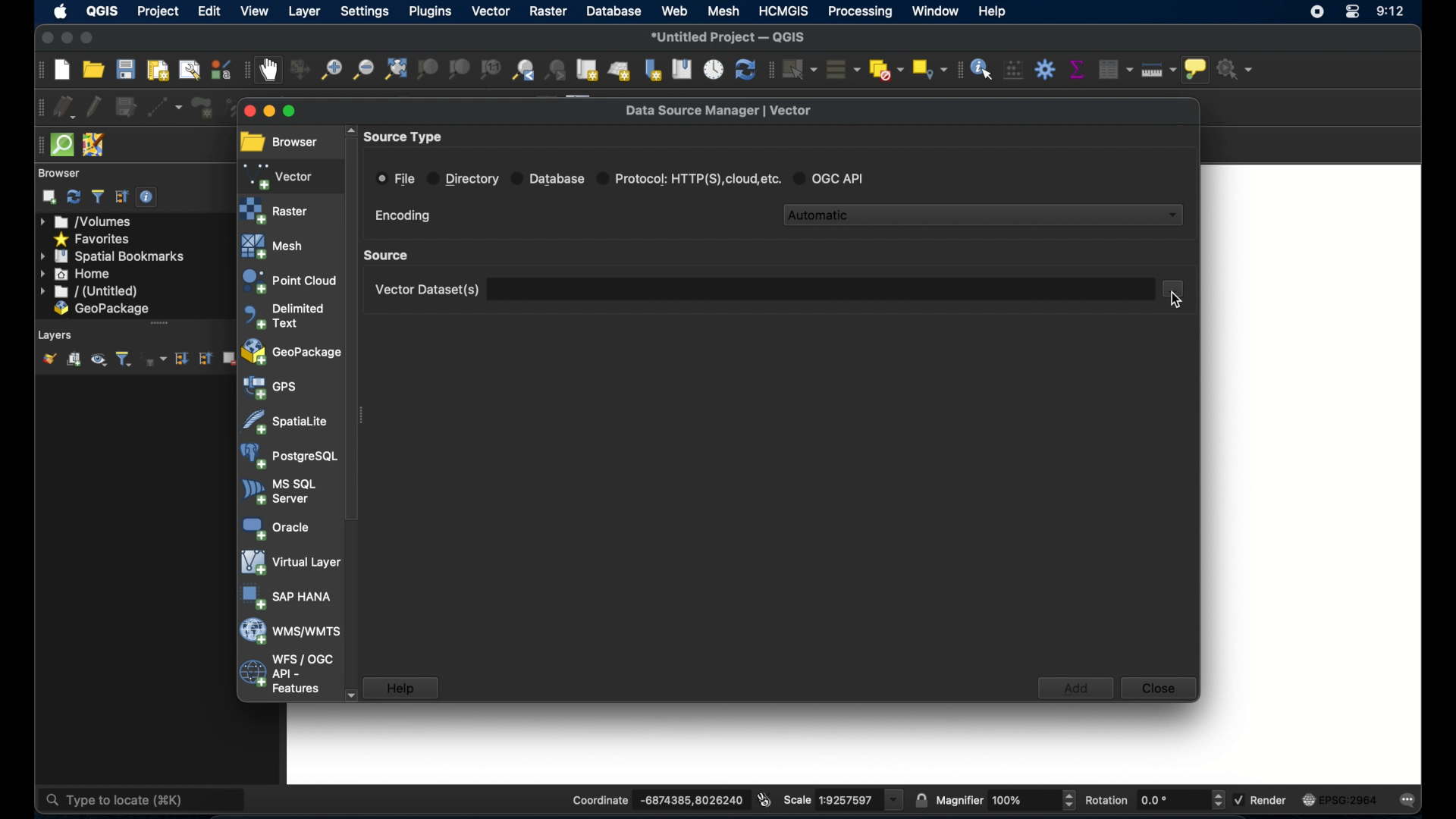 Image resolution: width=1456 pixels, height=819 pixels. Describe the element at coordinates (985, 213) in the screenshot. I see `automatic dropdown` at that location.